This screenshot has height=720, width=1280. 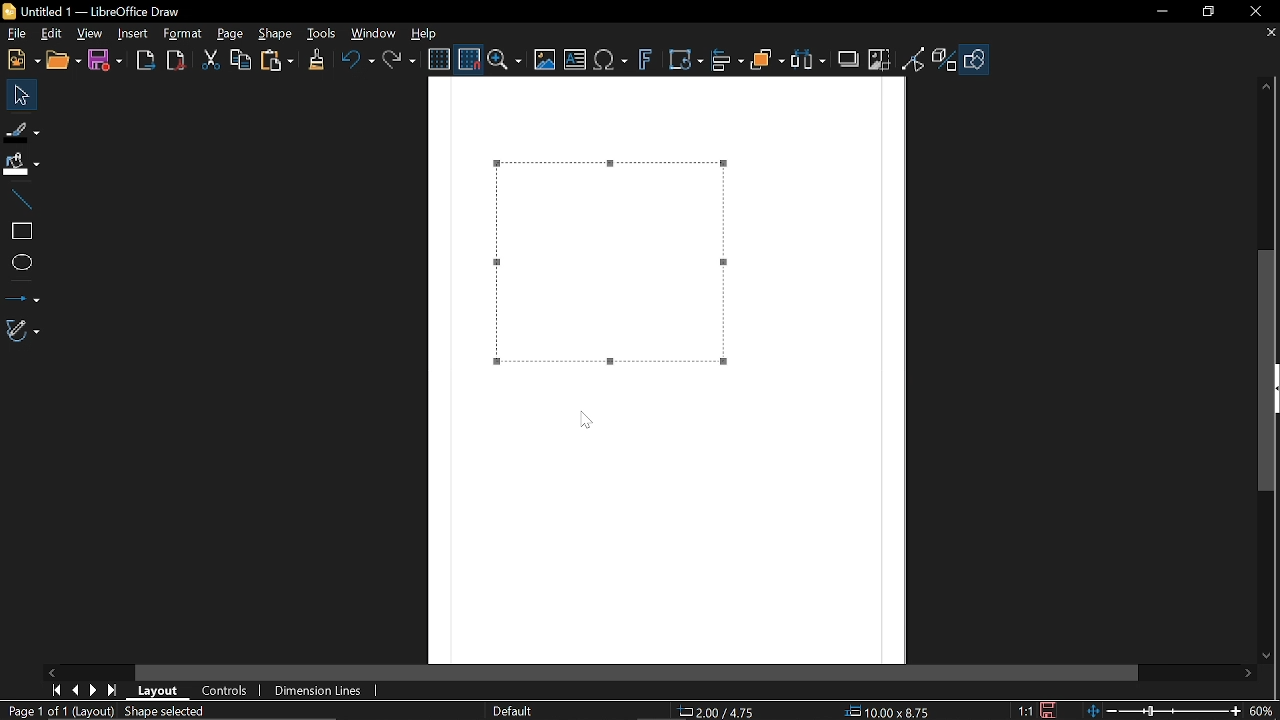 I want to click on Zoom, so click(x=505, y=60).